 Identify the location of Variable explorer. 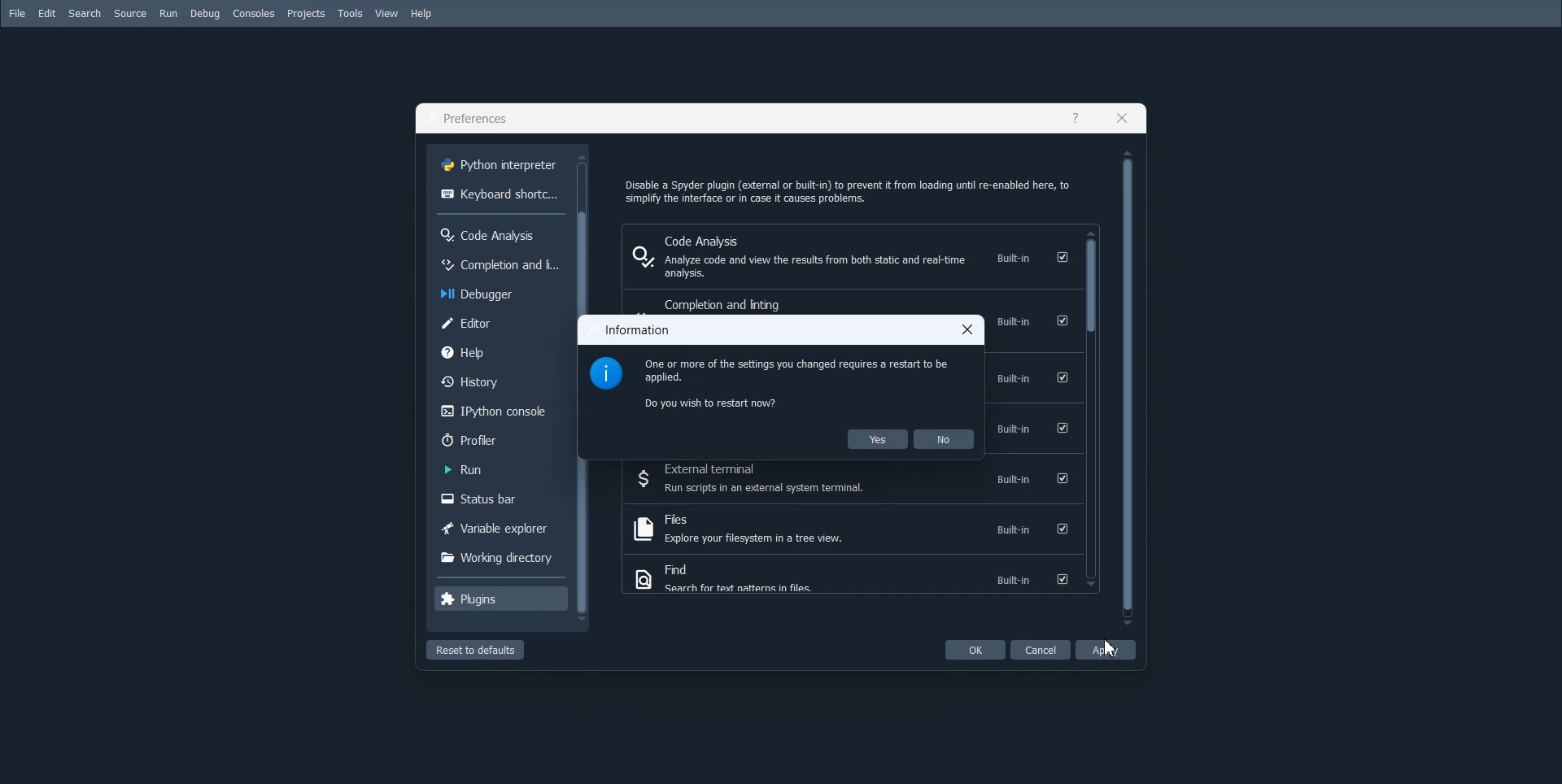
(498, 527).